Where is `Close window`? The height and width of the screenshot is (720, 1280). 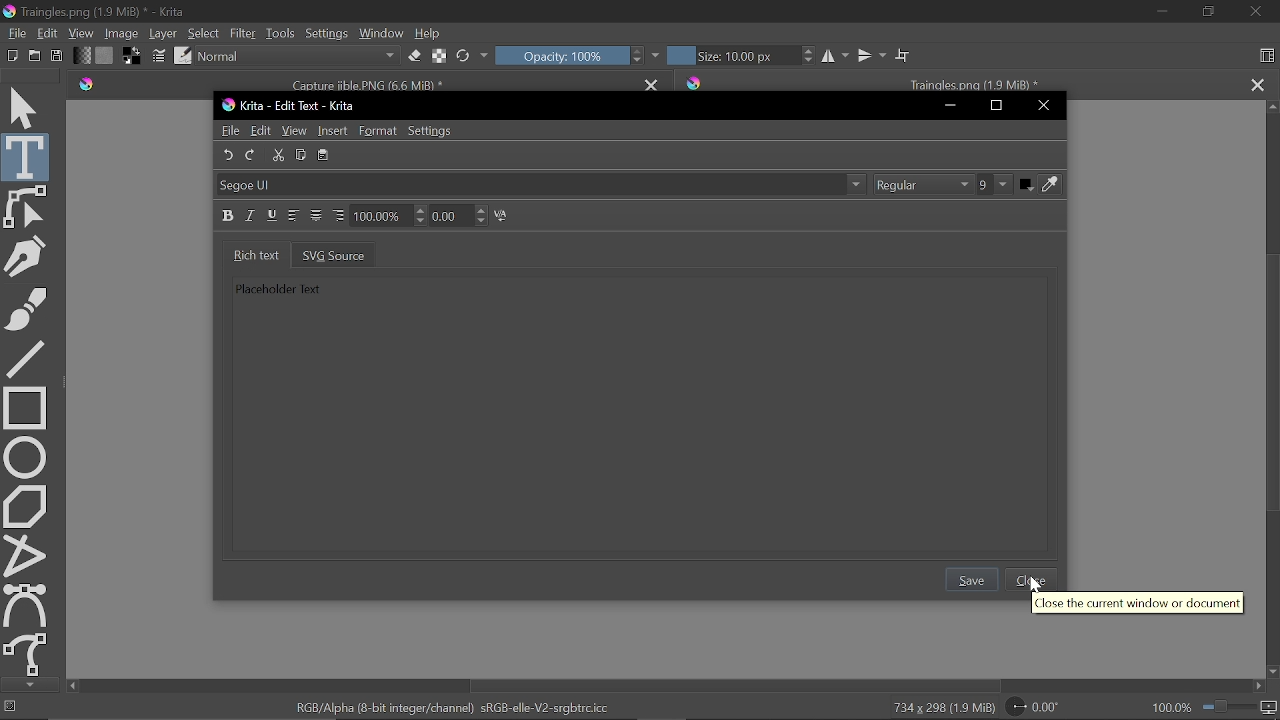 Close window is located at coordinates (1043, 107).